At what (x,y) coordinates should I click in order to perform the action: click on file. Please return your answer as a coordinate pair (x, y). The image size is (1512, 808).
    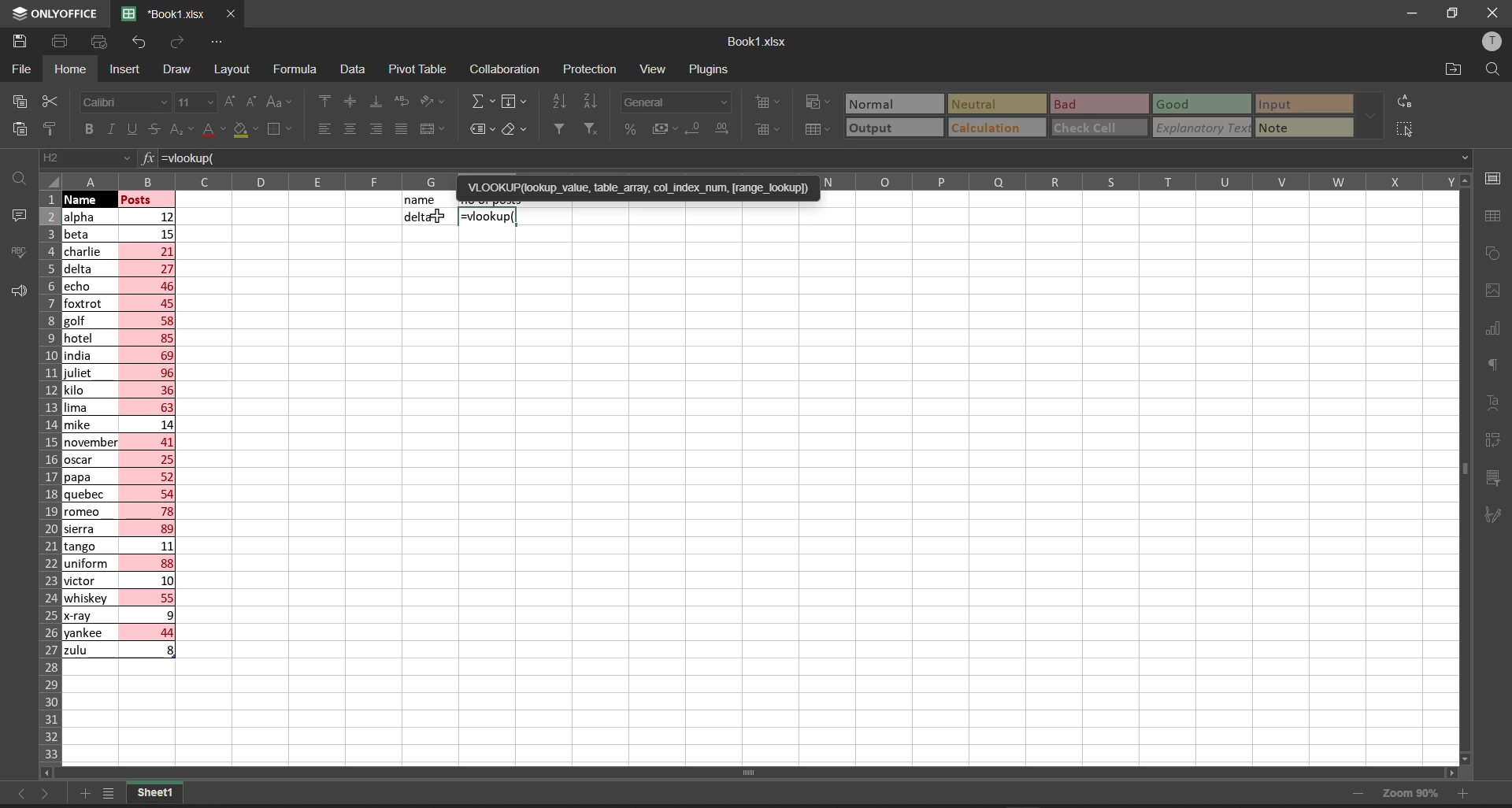
    Looking at the image, I should click on (23, 68).